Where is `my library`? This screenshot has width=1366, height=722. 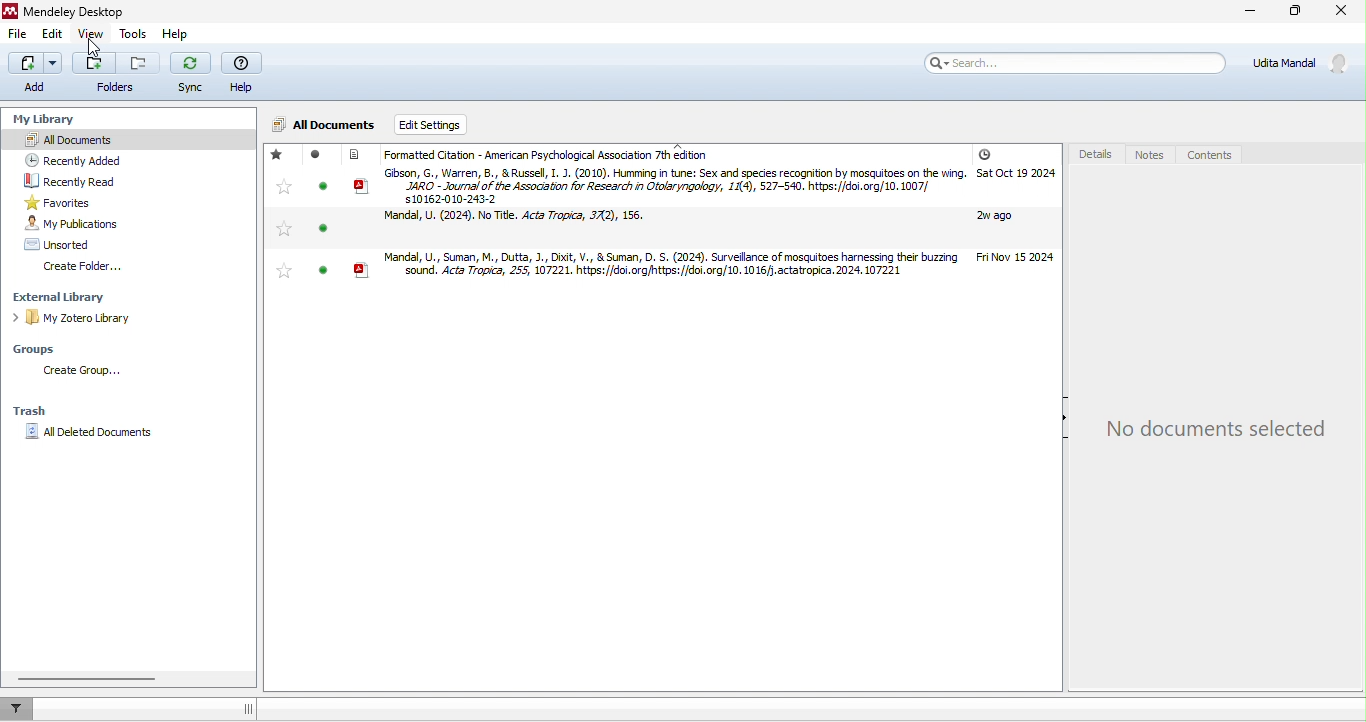 my library is located at coordinates (48, 121).